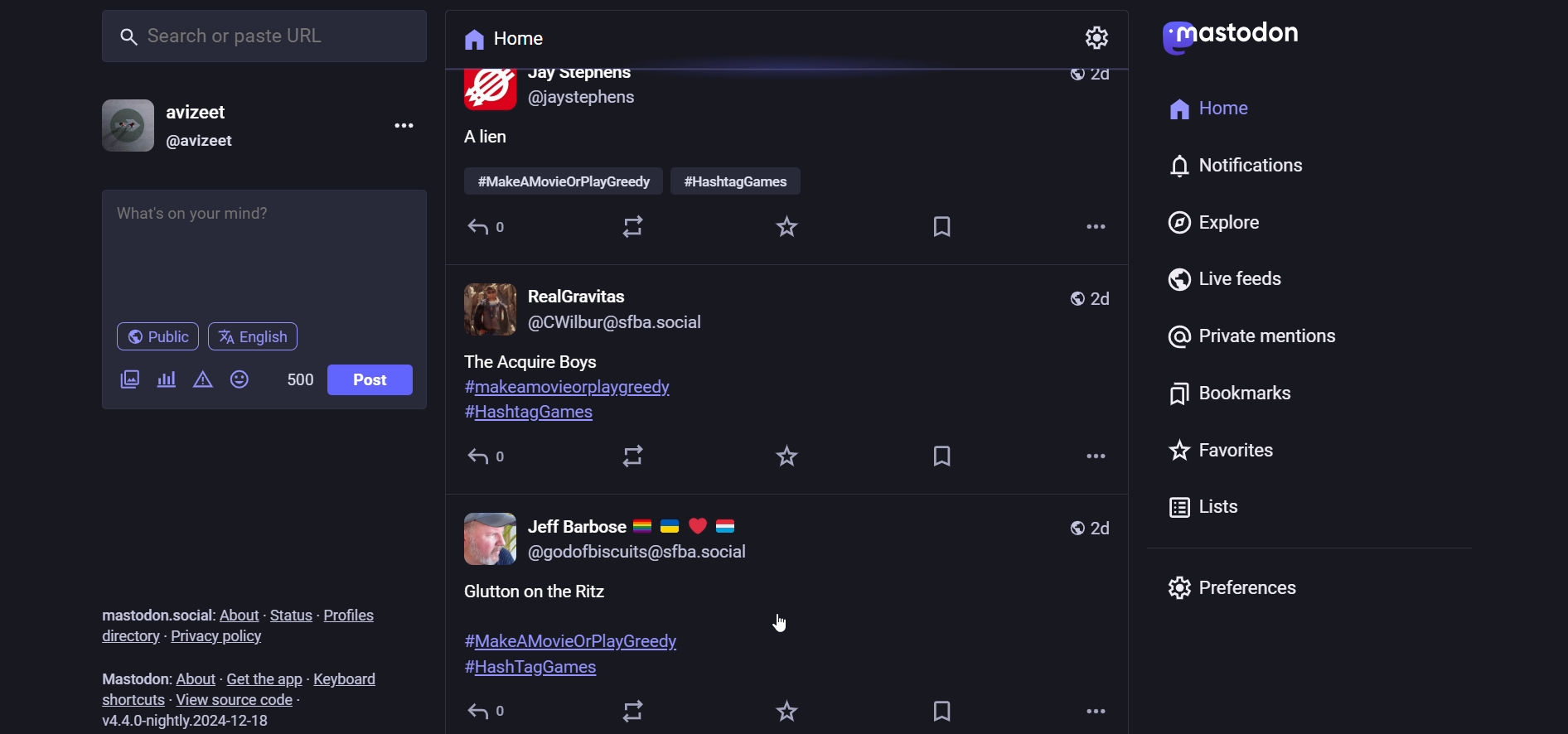 This screenshot has width=1568, height=734. Describe the element at coordinates (1202, 503) in the screenshot. I see `list` at that location.